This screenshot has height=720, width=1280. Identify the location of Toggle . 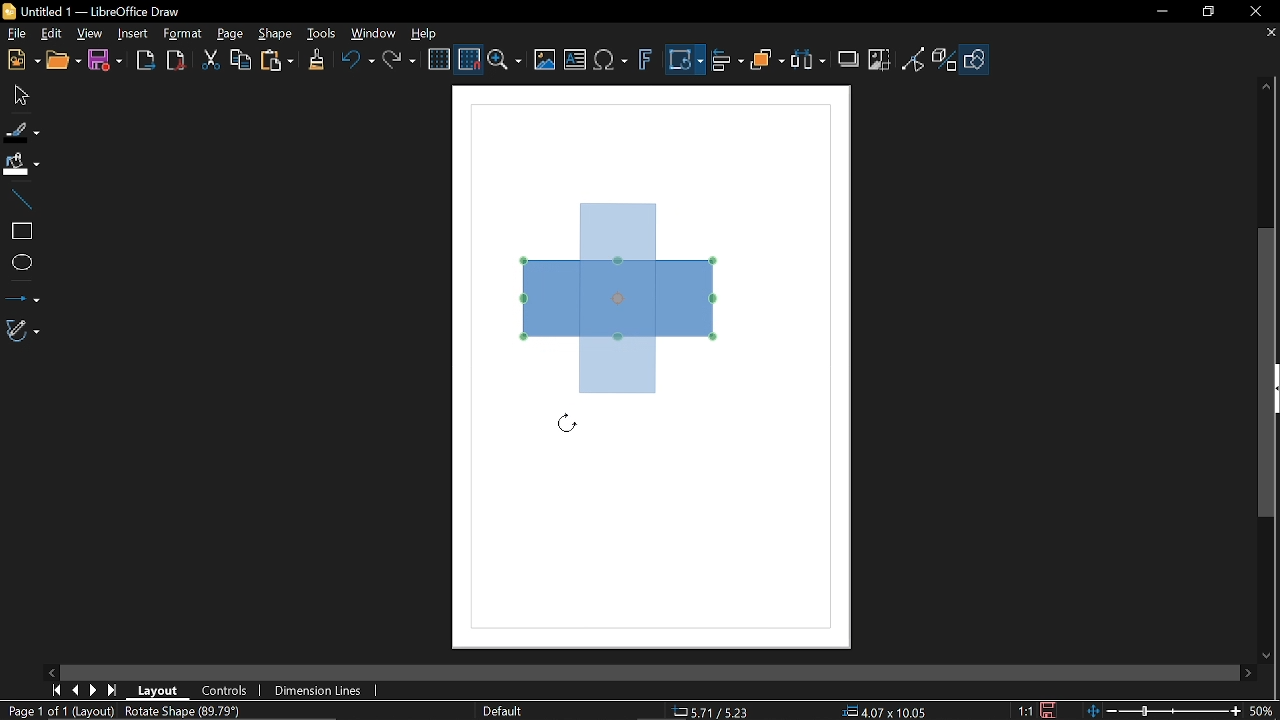
(914, 61).